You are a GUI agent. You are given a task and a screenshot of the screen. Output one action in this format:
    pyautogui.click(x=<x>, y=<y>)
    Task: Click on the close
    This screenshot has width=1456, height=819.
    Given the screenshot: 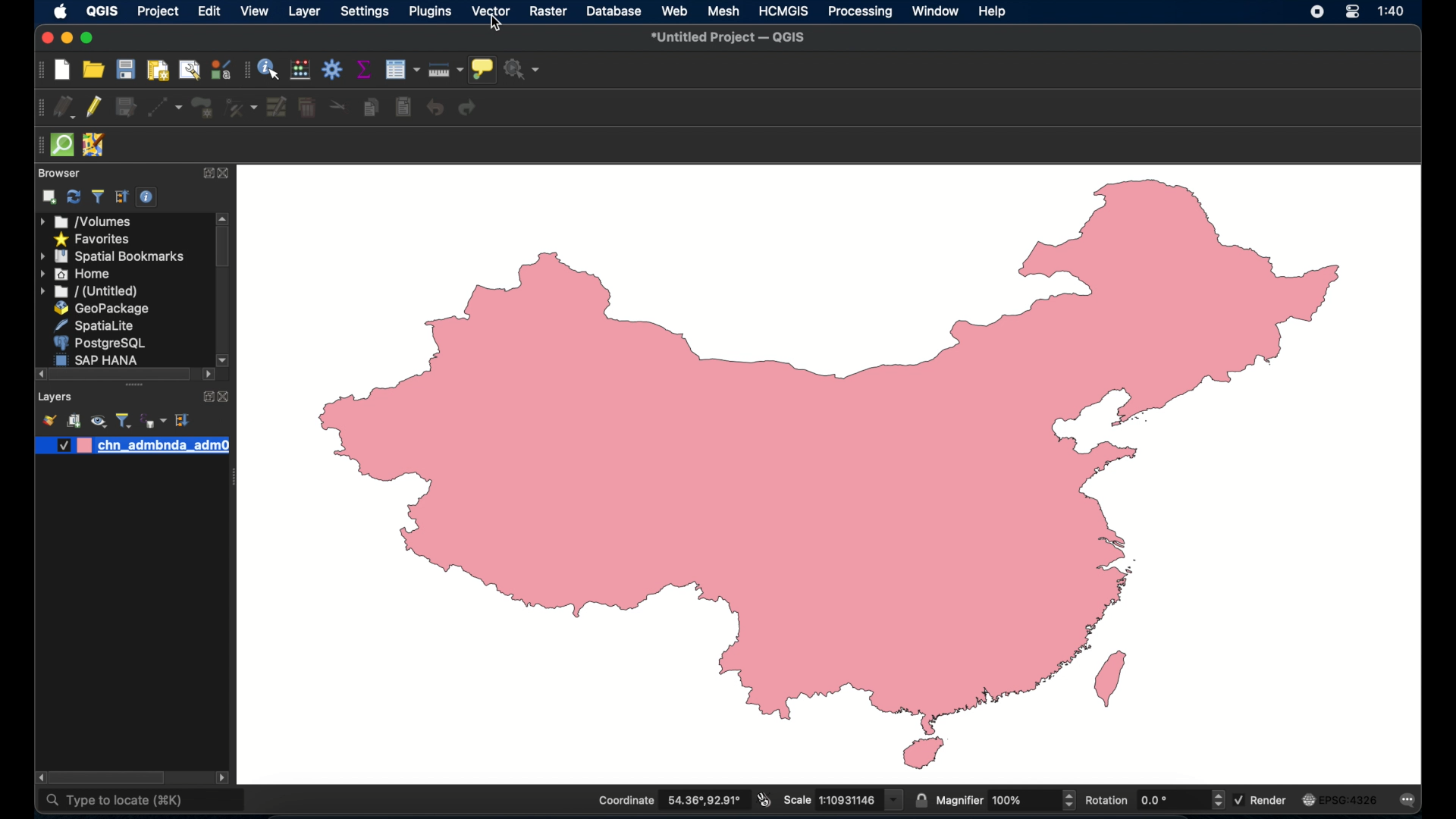 What is the action you would take?
    pyautogui.click(x=224, y=174)
    